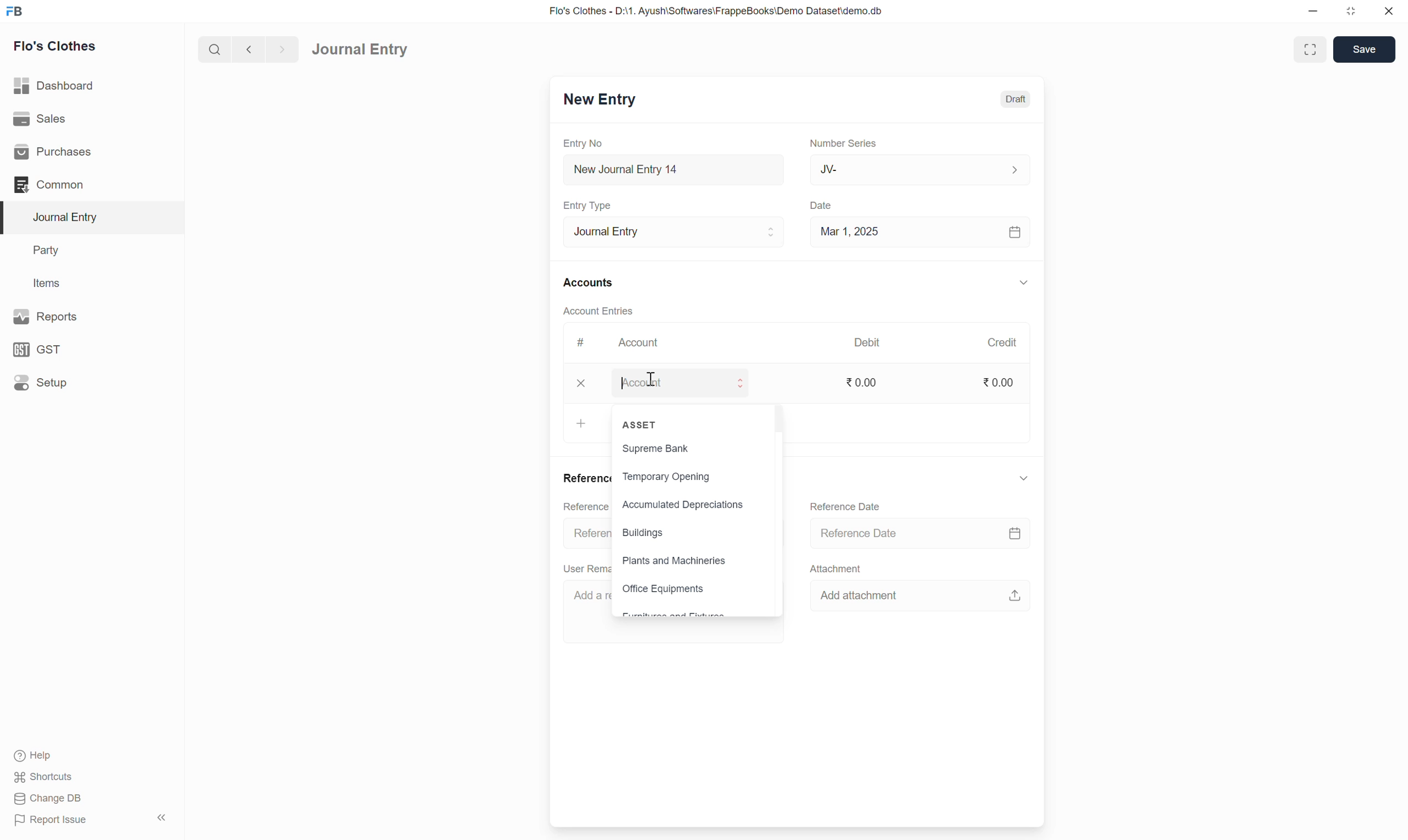 The width and height of the screenshot is (1408, 840). Describe the element at coordinates (1313, 12) in the screenshot. I see `minimize` at that location.